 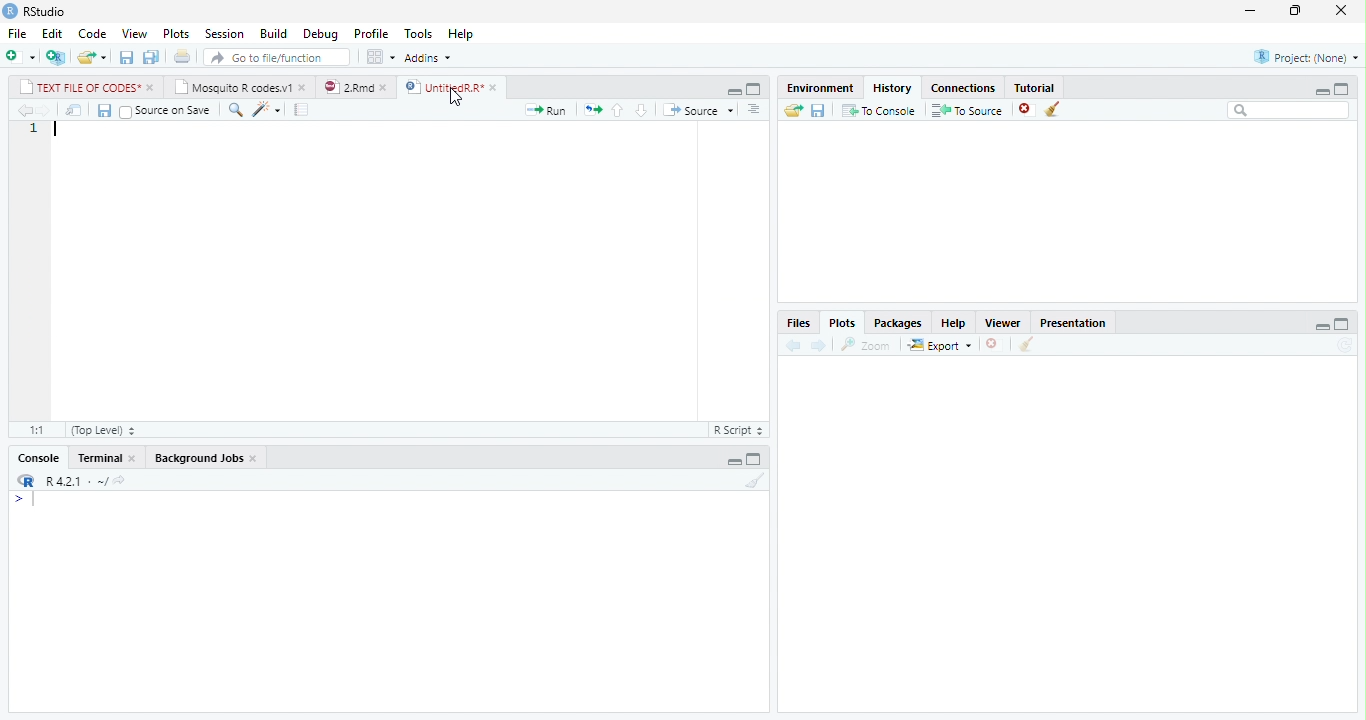 I want to click on logo, so click(x=9, y=11).